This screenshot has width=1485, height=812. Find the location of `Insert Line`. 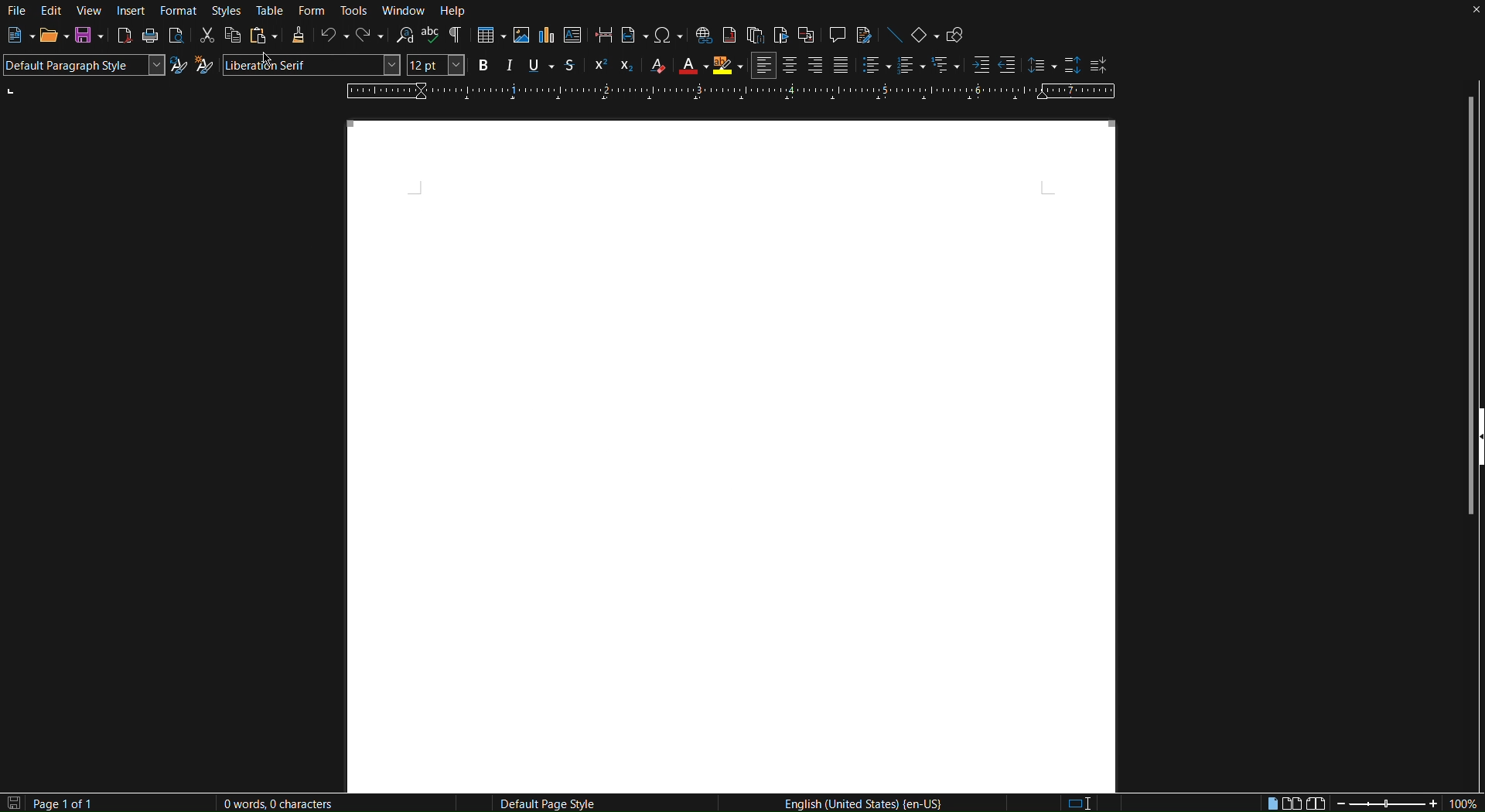

Insert Line is located at coordinates (895, 38).